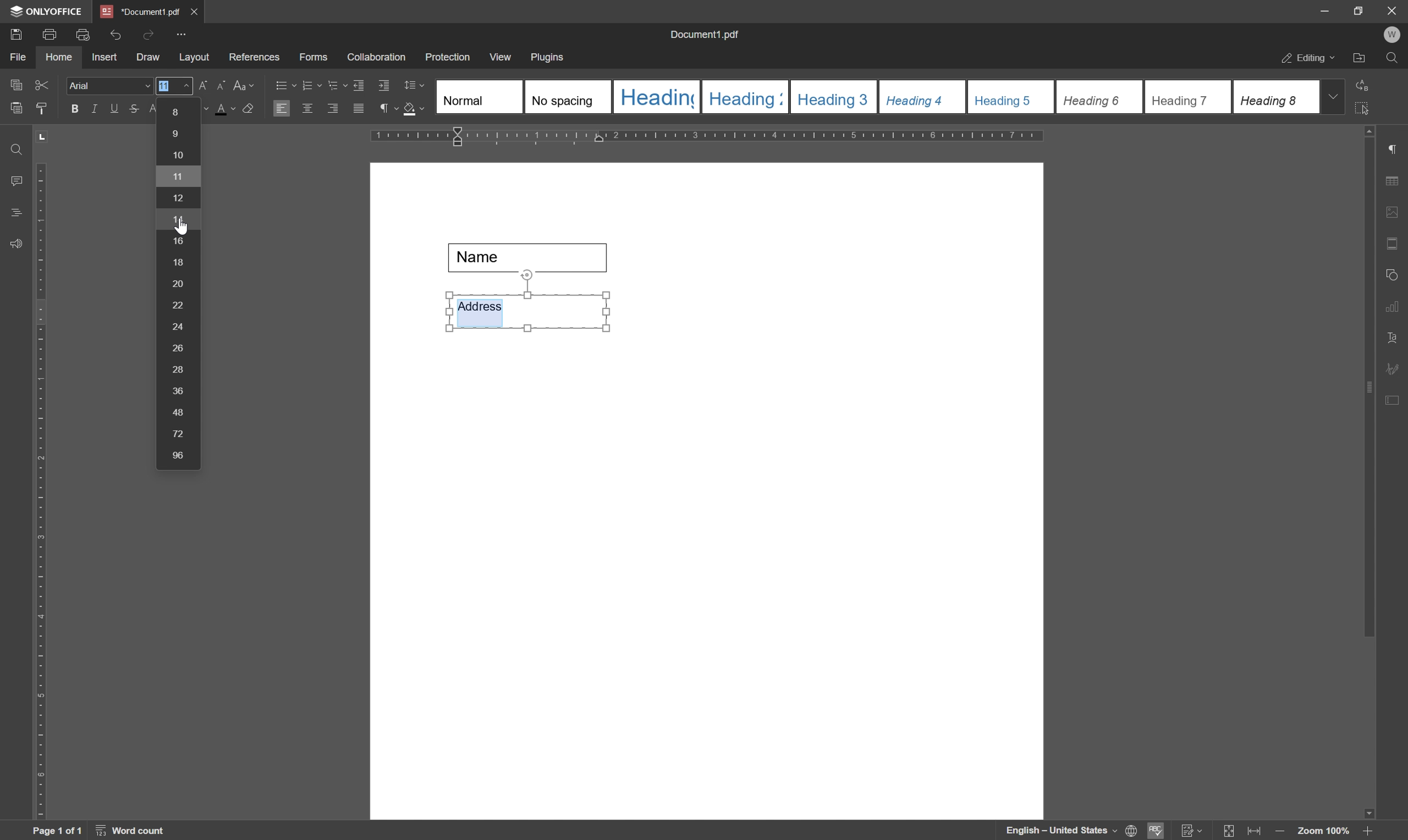  I want to click on change case, so click(246, 84).